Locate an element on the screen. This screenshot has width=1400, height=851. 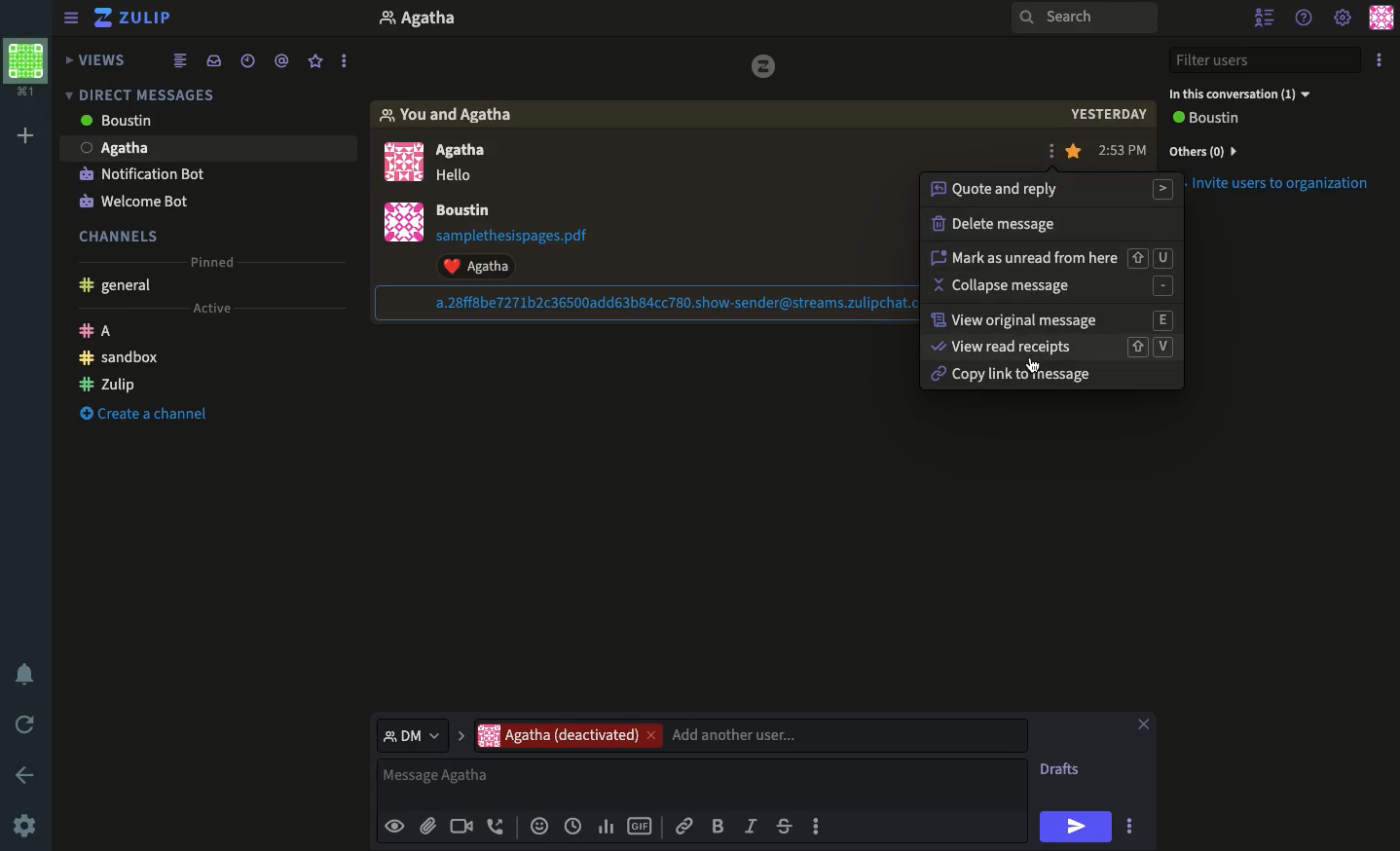
pointer is located at coordinates (1033, 366).